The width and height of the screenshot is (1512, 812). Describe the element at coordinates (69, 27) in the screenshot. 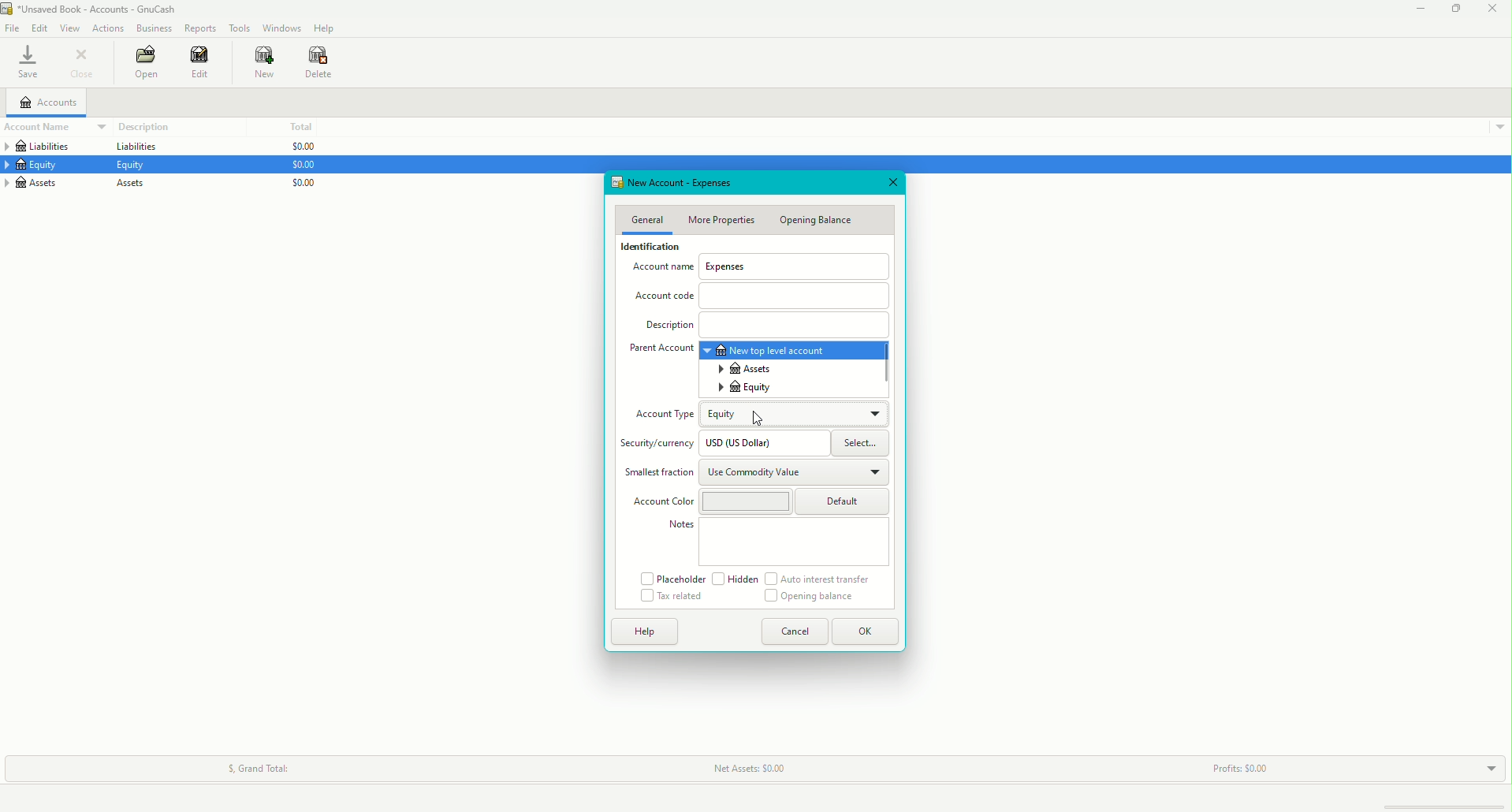

I see `View` at that location.